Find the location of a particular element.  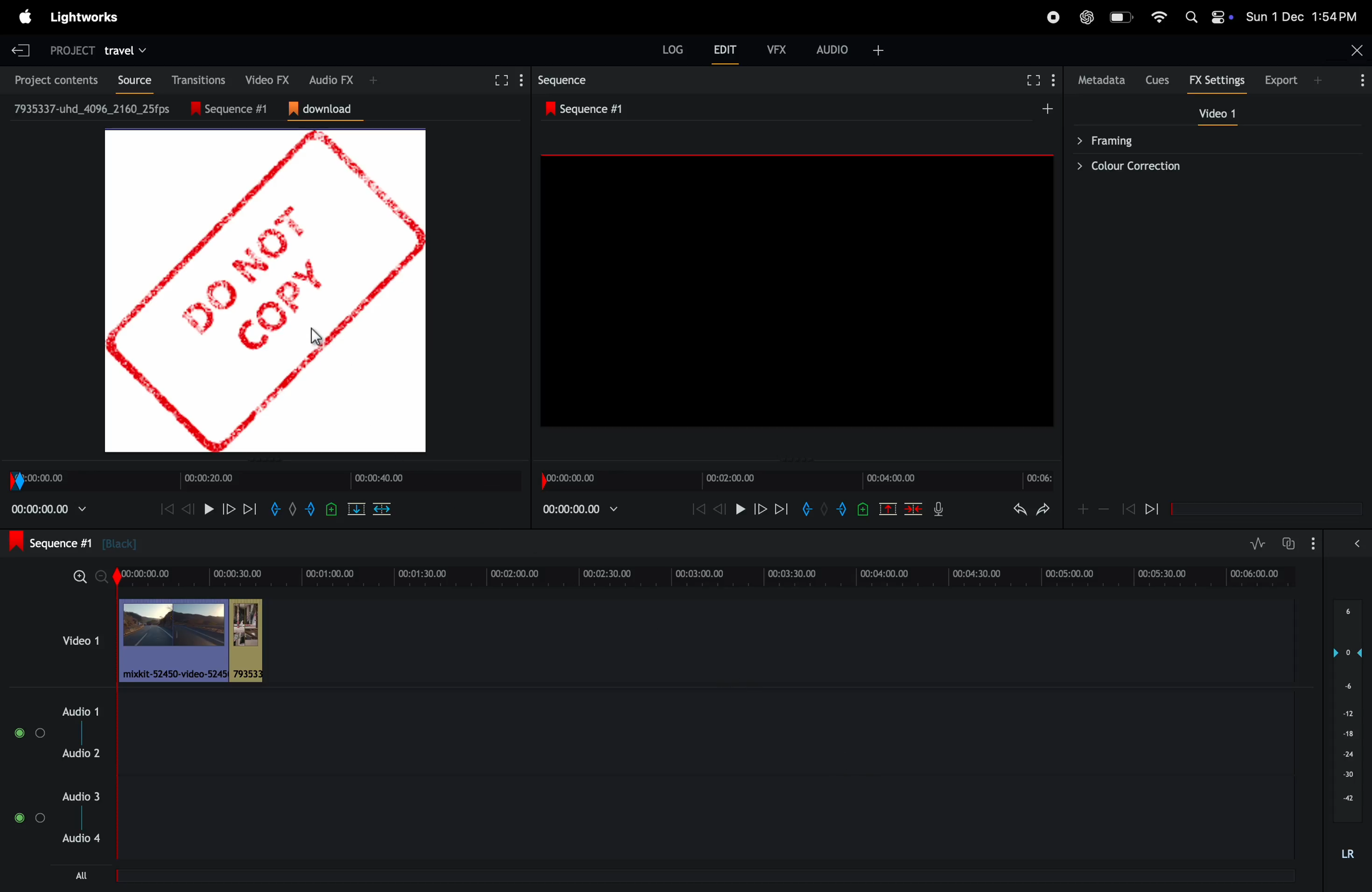

undo is located at coordinates (1020, 509).